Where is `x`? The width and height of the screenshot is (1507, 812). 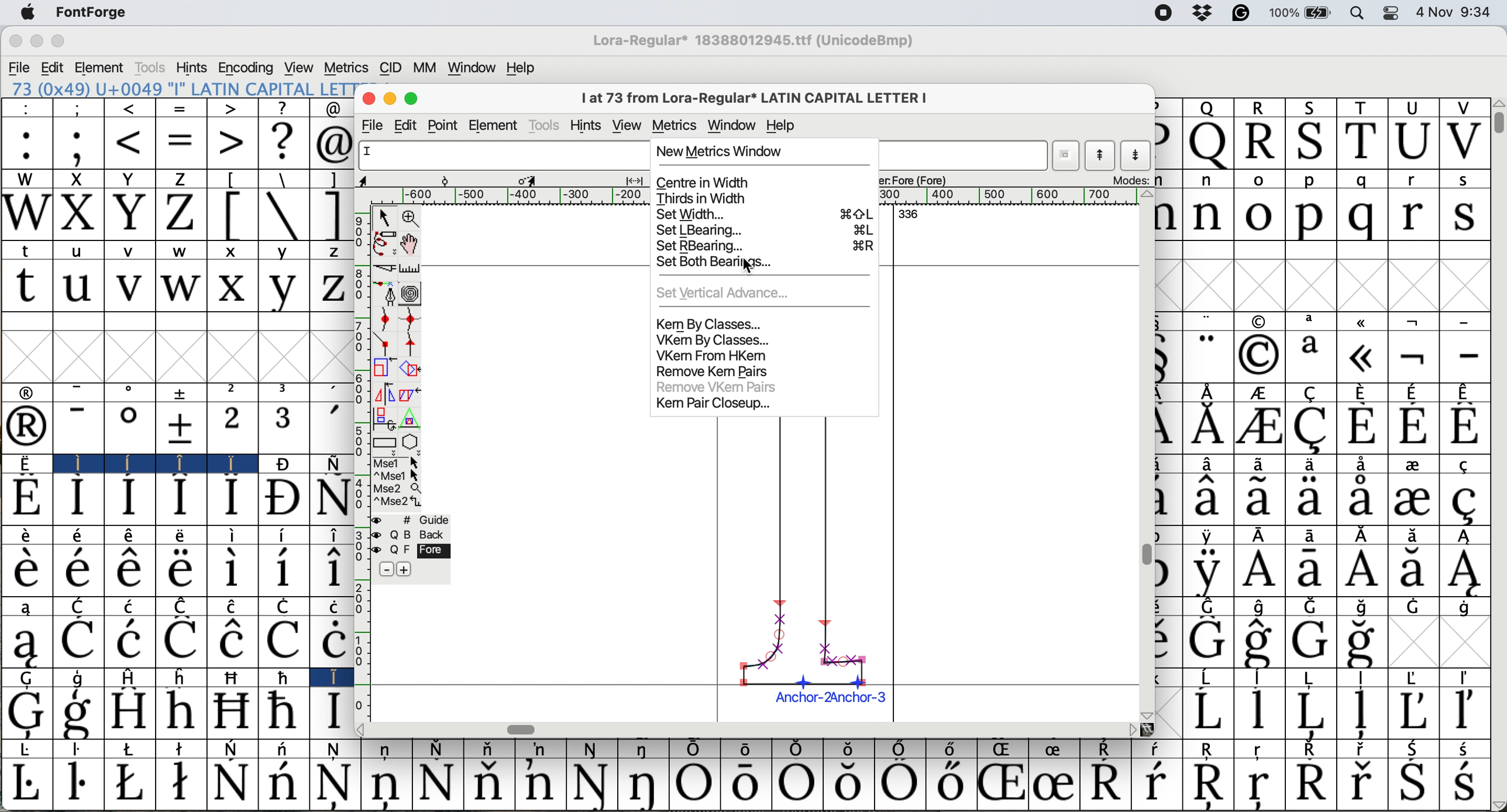
x is located at coordinates (234, 250).